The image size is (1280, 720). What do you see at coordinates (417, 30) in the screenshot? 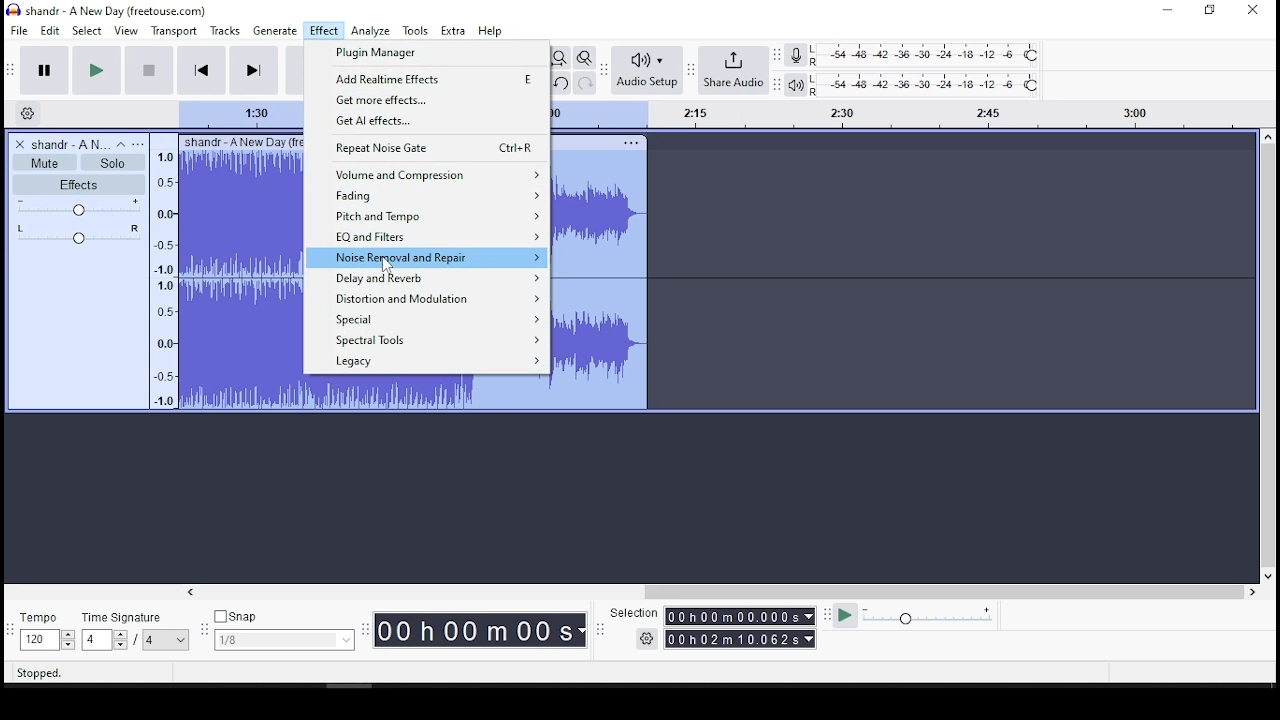
I see `tools` at bounding box center [417, 30].